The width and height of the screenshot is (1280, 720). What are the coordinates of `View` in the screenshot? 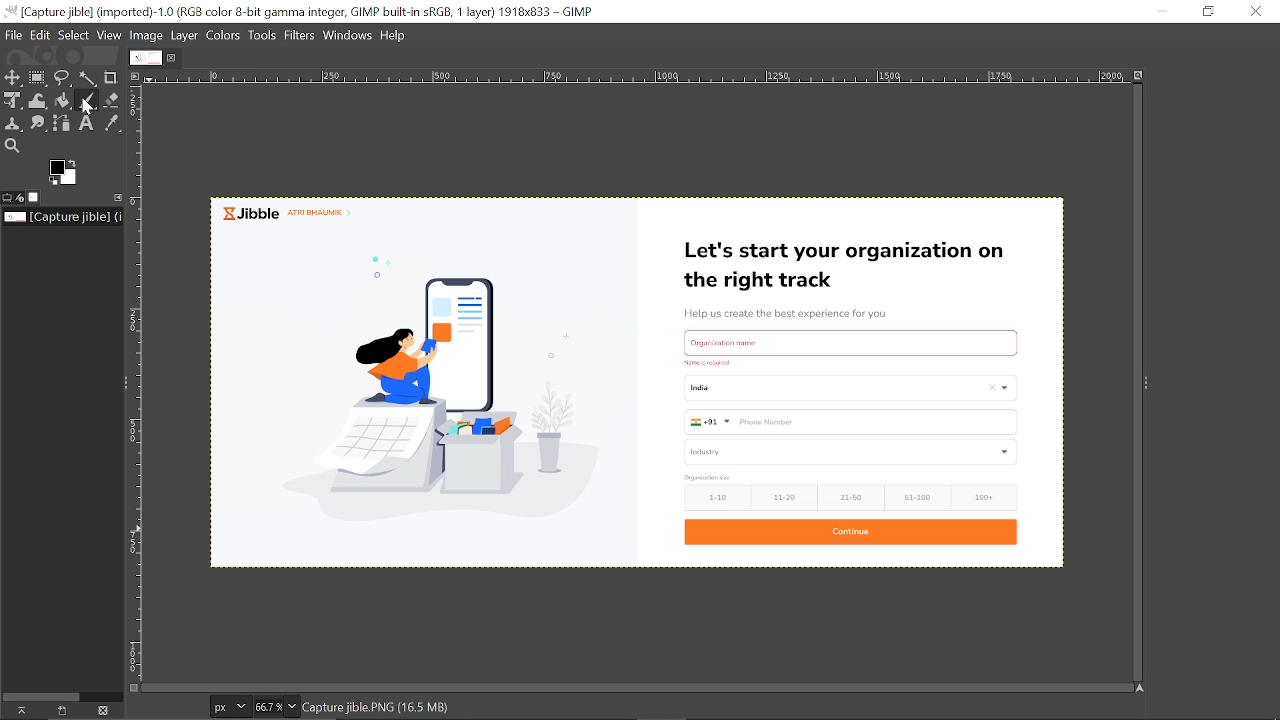 It's located at (109, 36).